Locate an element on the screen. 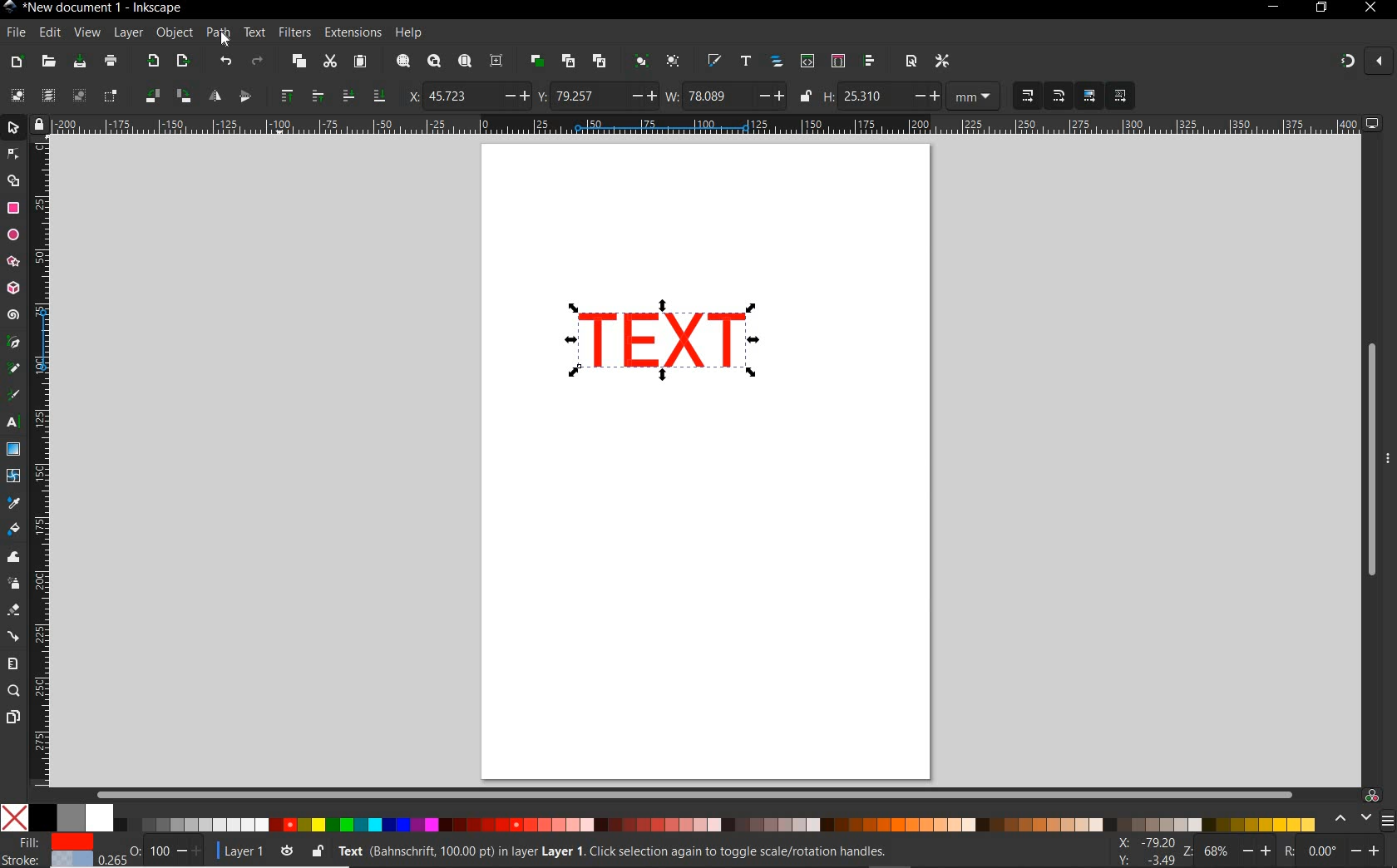 This screenshot has height=868, width=1397. OPEN SELECTORS is located at coordinates (837, 61).